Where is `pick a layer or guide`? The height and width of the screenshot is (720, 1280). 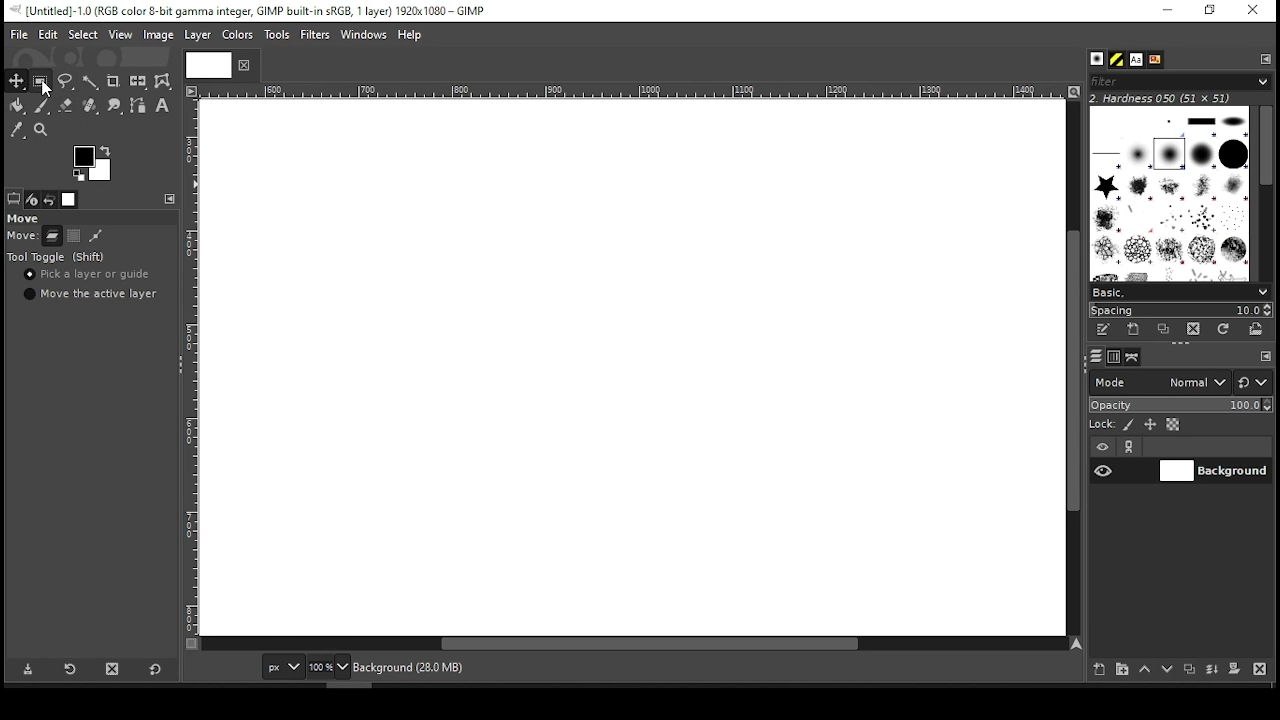
pick a layer or guide is located at coordinates (88, 274).